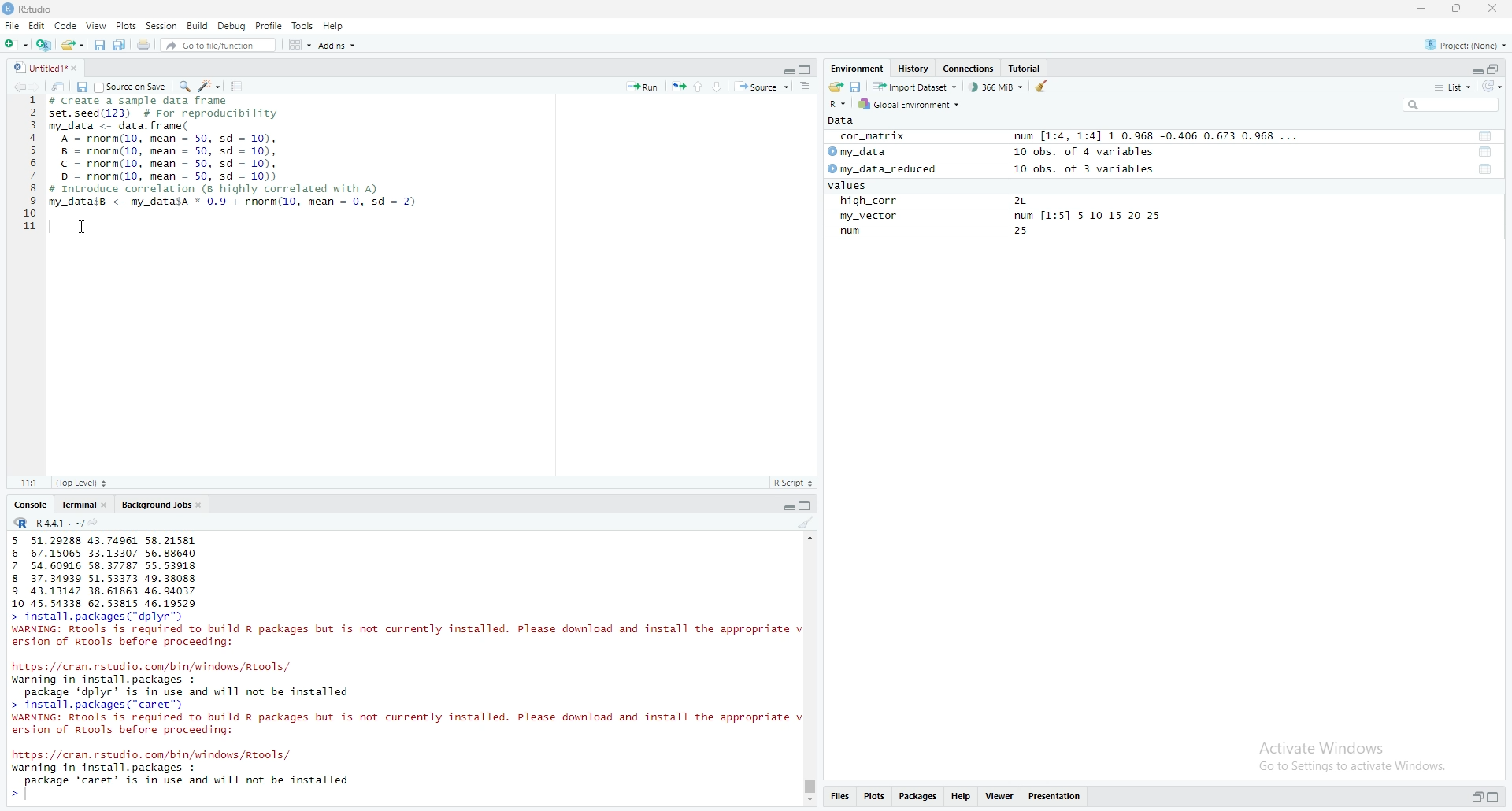 The width and height of the screenshot is (1512, 811). Describe the element at coordinates (127, 25) in the screenshot. I see `Plots` at that location.